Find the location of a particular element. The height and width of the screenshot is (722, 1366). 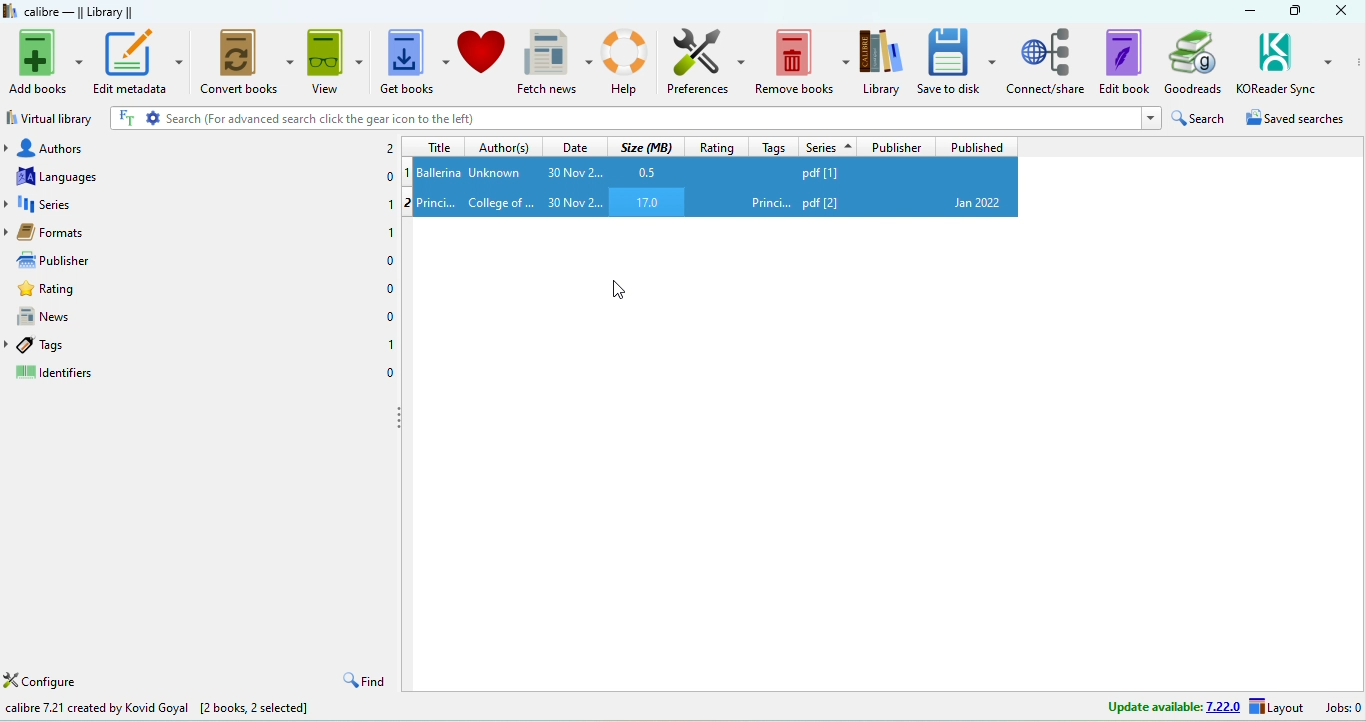

title is located at coordinates (441, 146).